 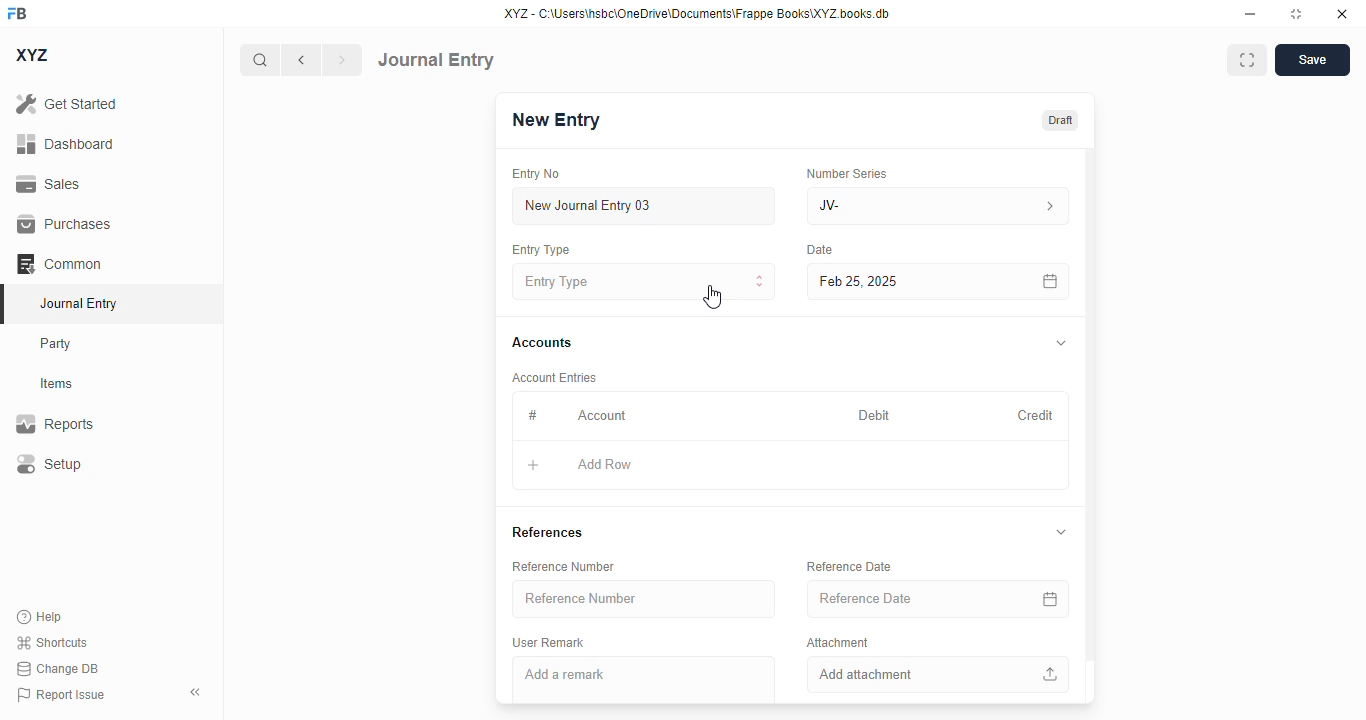 What do you see at coordinates (1091, 424) in the screenshot?
I see `scroll bar` at bounding box center [1091, 424].